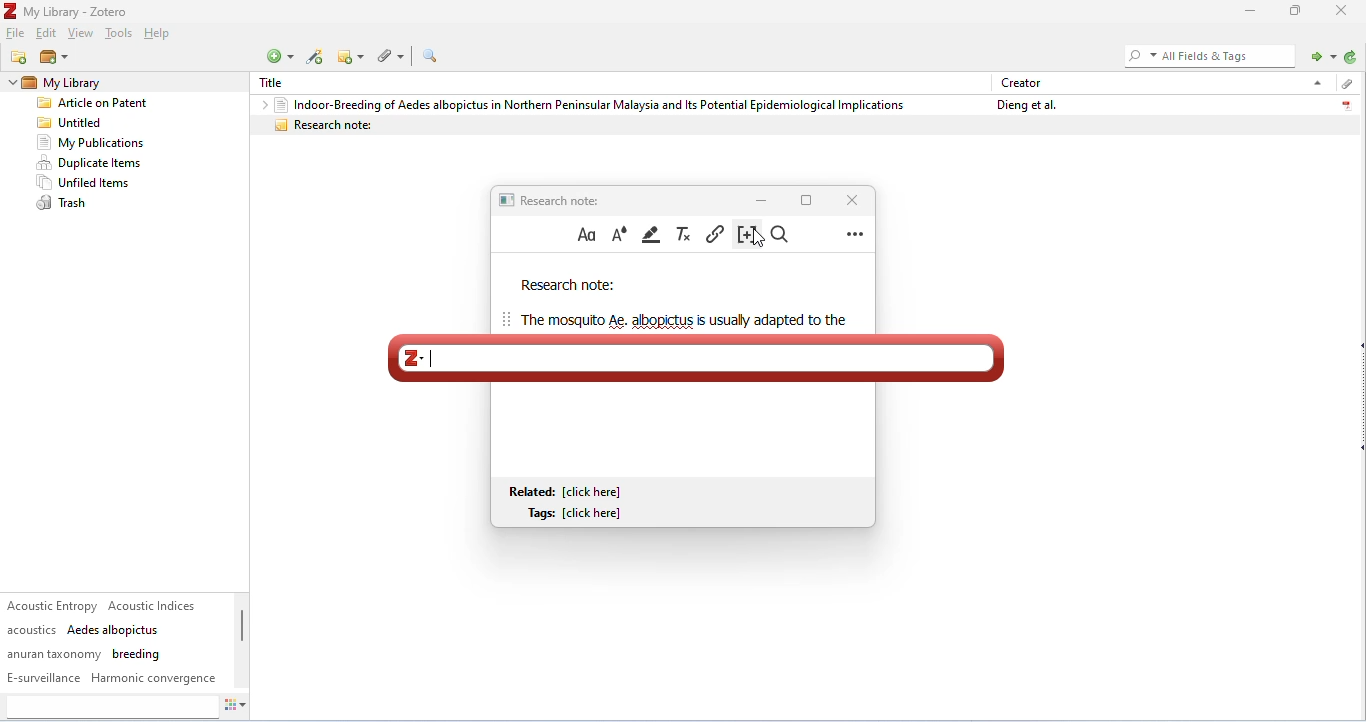 This screenshot has width=1366, height=722. What do you see at coordinates (113, 642) in the screenshot?
I see `tags` at bounding box center [113, 642].